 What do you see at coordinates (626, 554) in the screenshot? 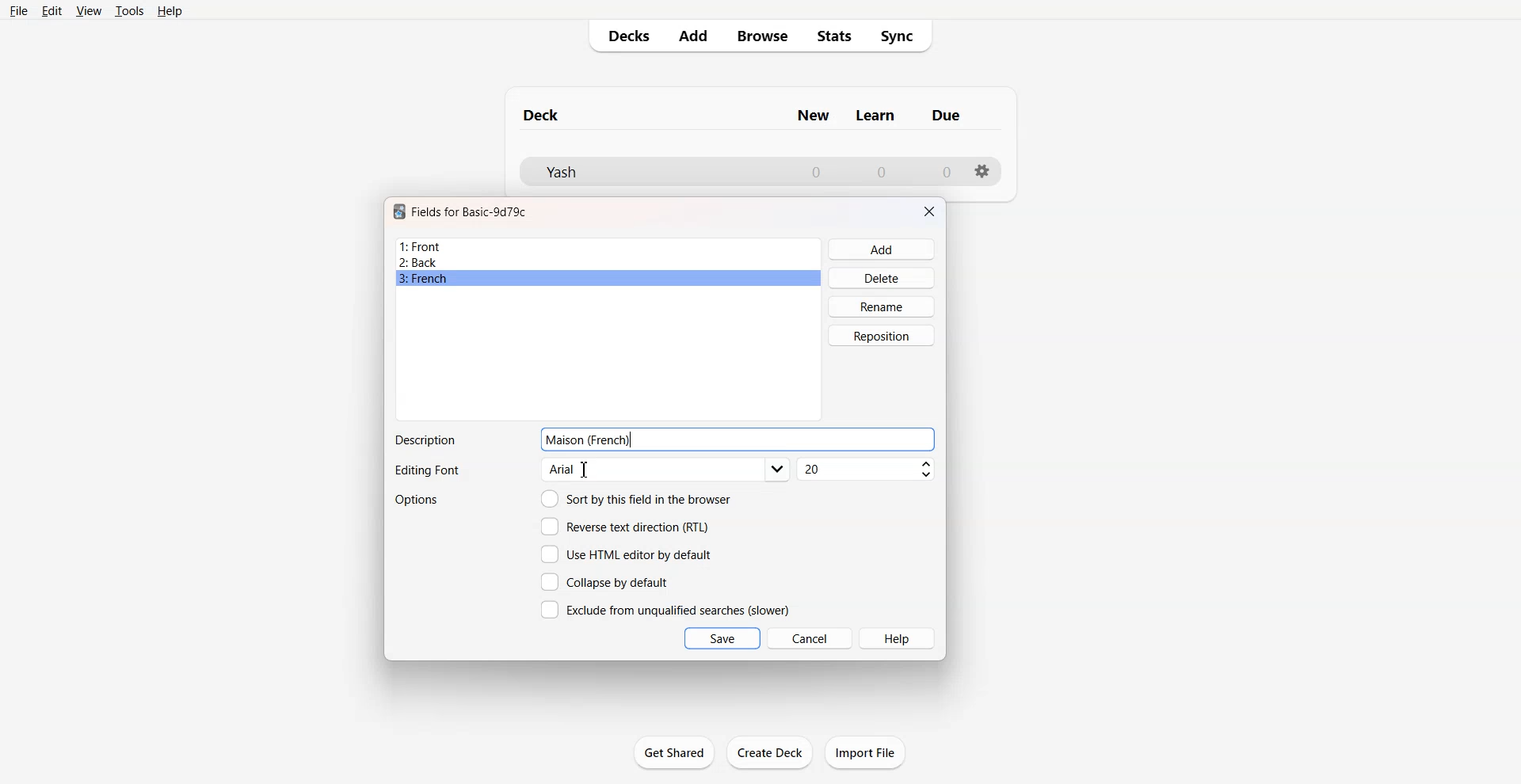
I see `Use HTML editor by default` at bounding box center [626, 554].